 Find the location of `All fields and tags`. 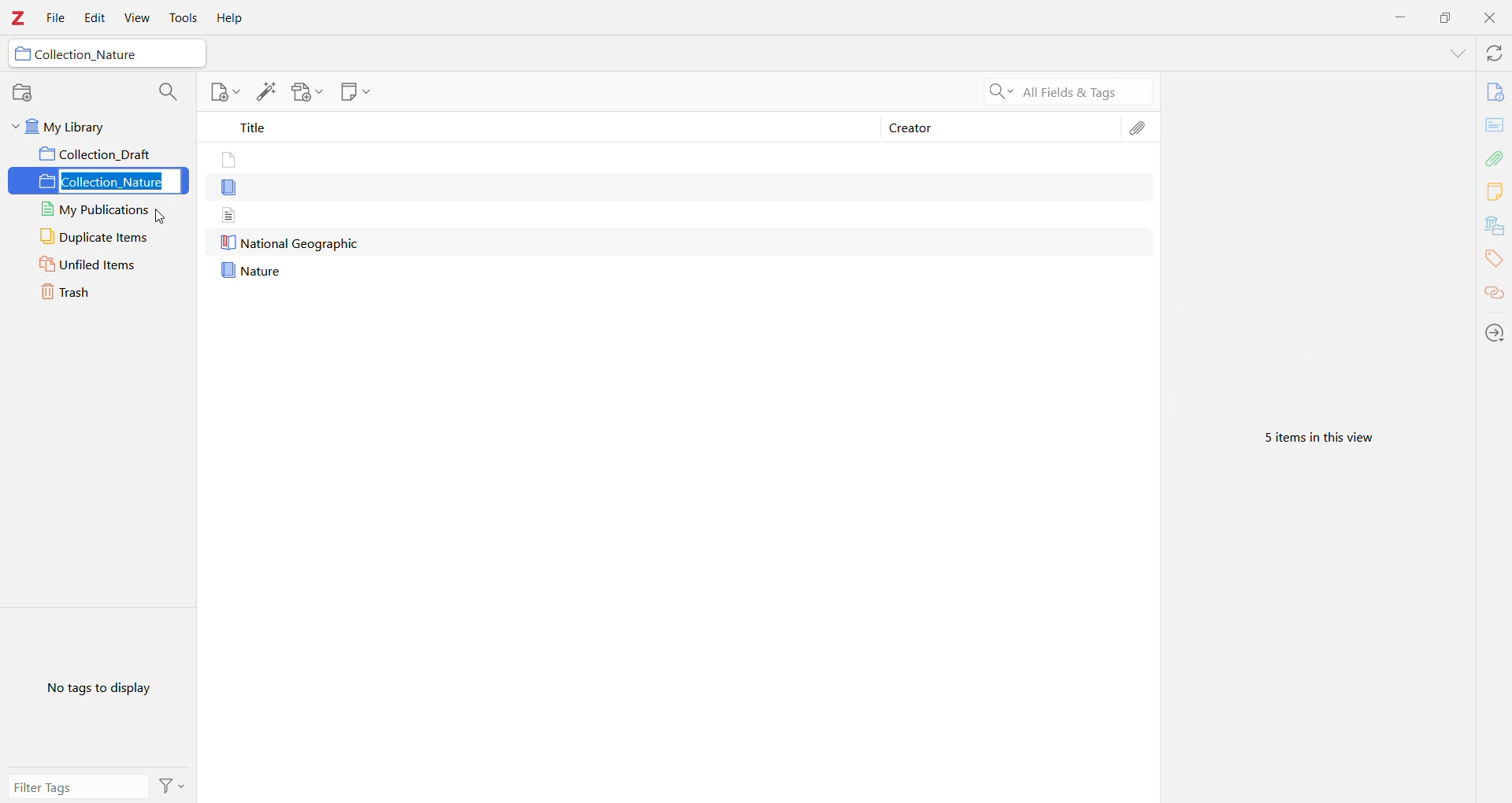

All fields and tags is located at coordinates (1065, 91).